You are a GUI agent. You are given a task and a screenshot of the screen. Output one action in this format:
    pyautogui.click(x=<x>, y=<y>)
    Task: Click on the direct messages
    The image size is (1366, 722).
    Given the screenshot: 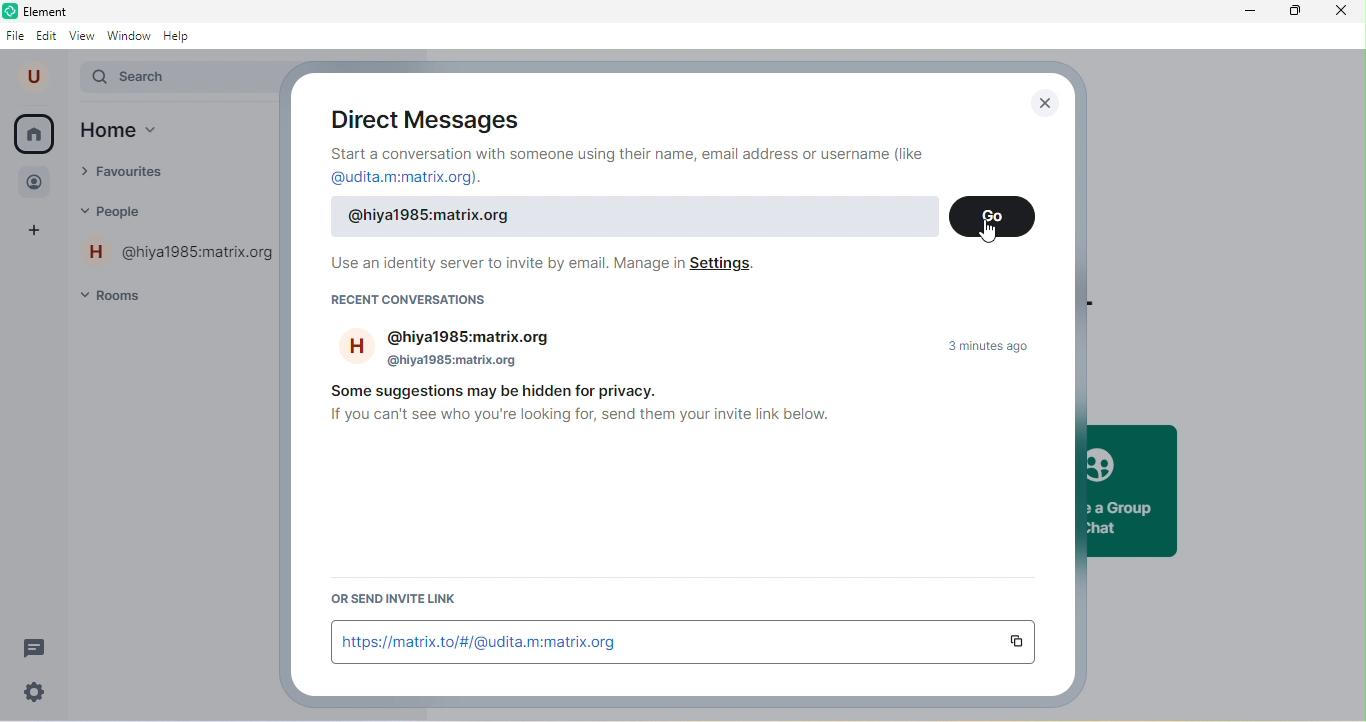 What is the action you would take?
    pyautogui.click(x=426, y=118)
    